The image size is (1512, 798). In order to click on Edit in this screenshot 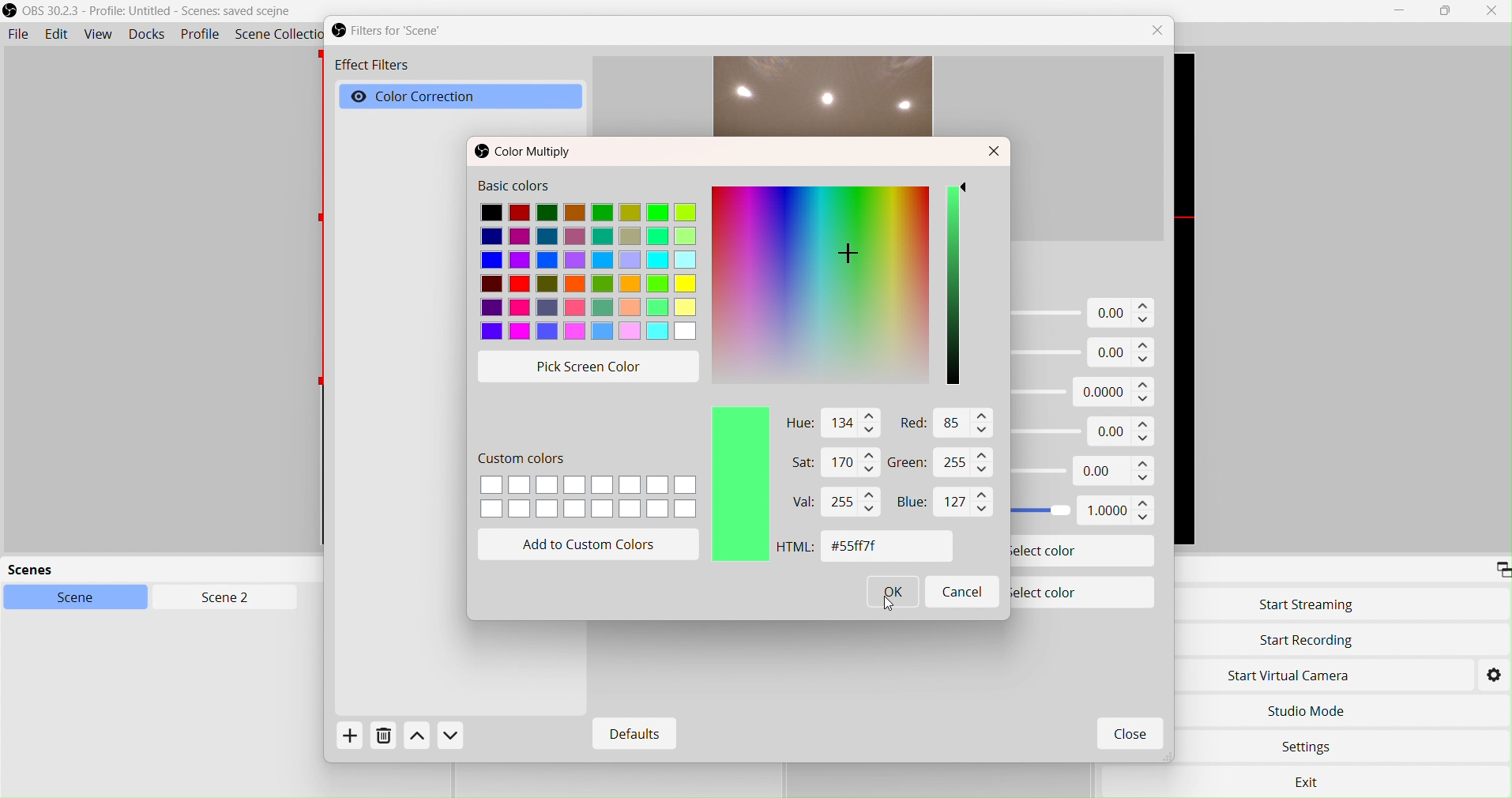, I will do `click(56, 35)`.